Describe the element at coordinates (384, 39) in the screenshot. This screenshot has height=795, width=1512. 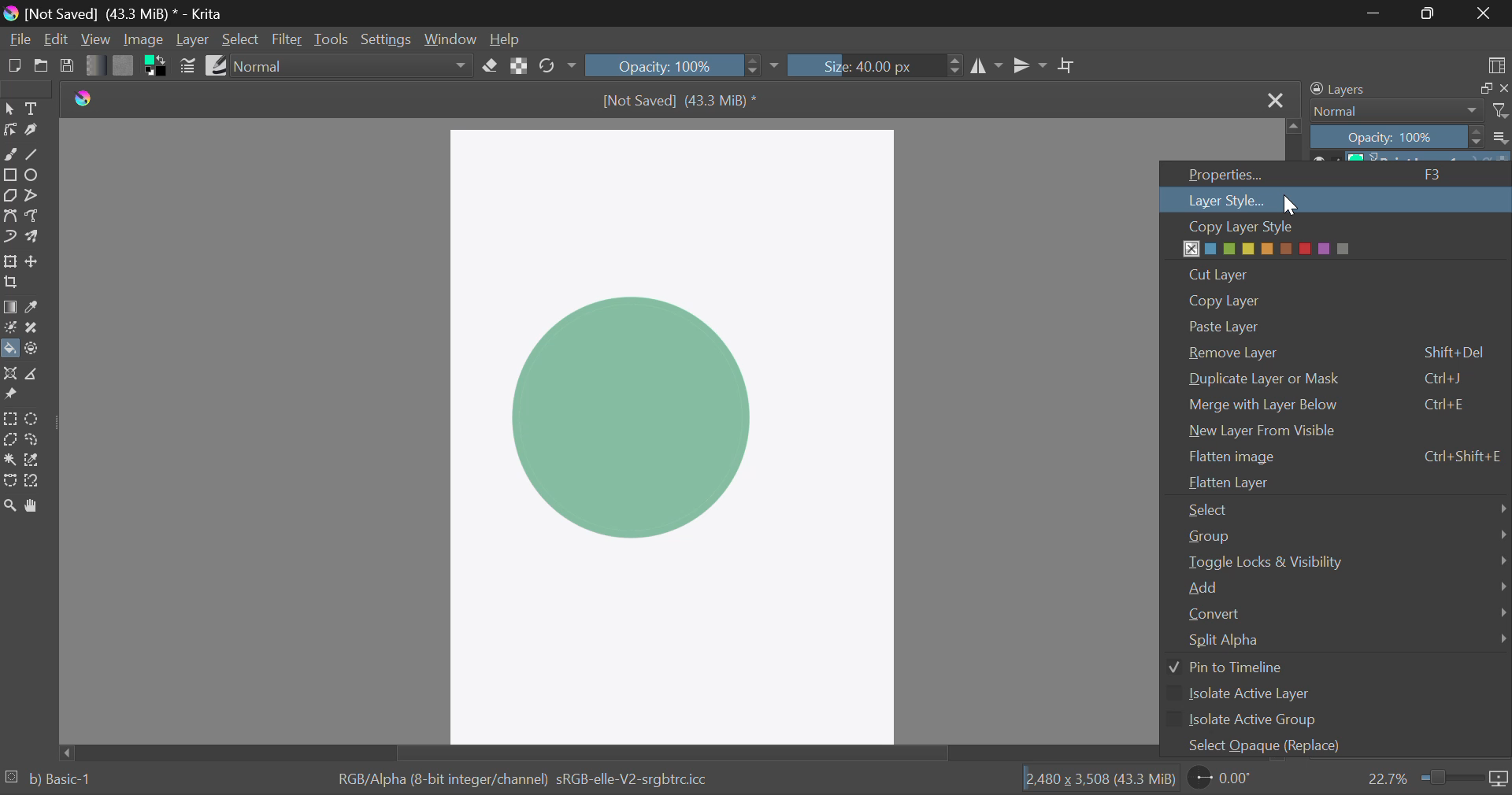
I see `Settings` at that location.